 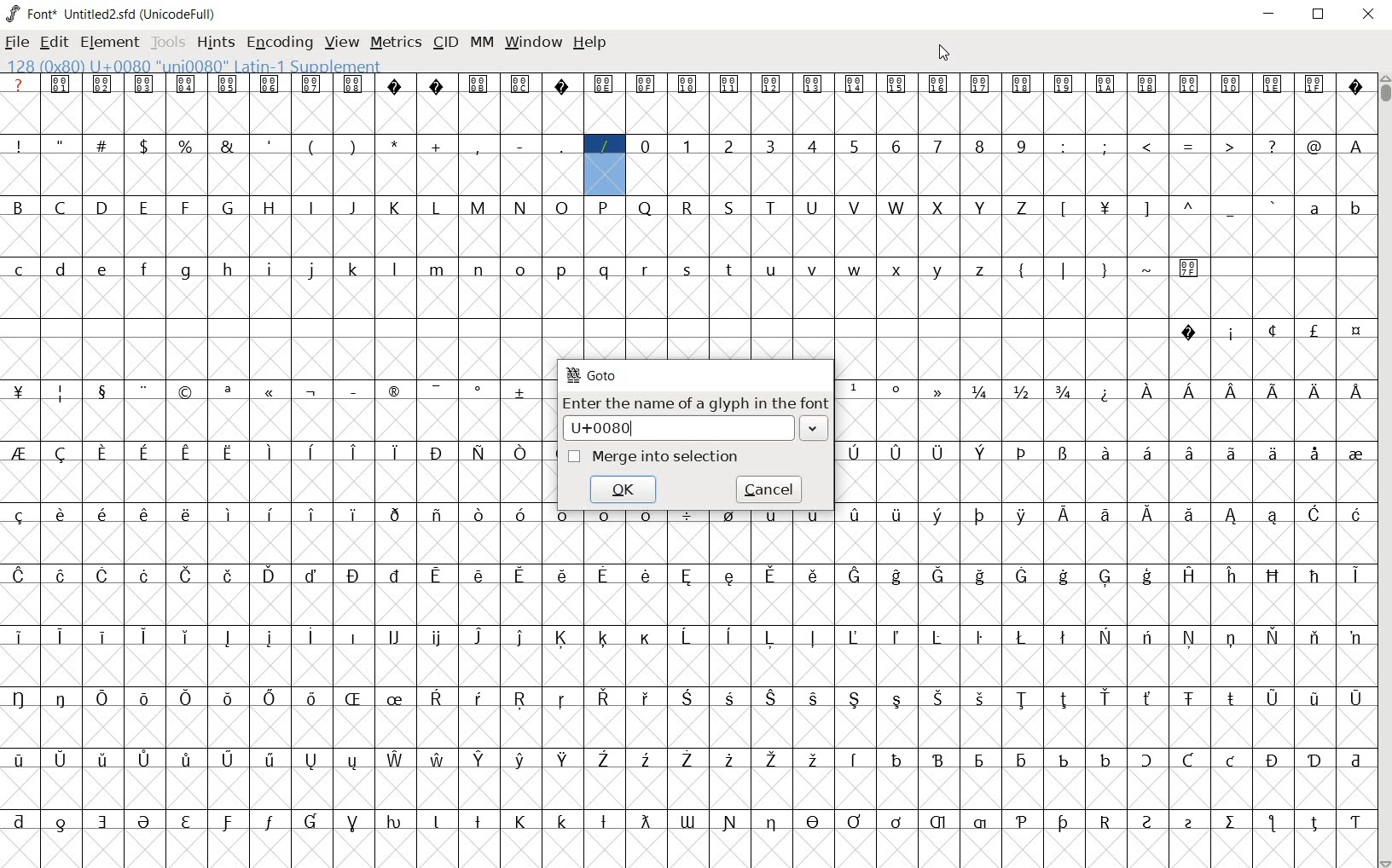 I want to click on glyph, so click(x=61, y=576).